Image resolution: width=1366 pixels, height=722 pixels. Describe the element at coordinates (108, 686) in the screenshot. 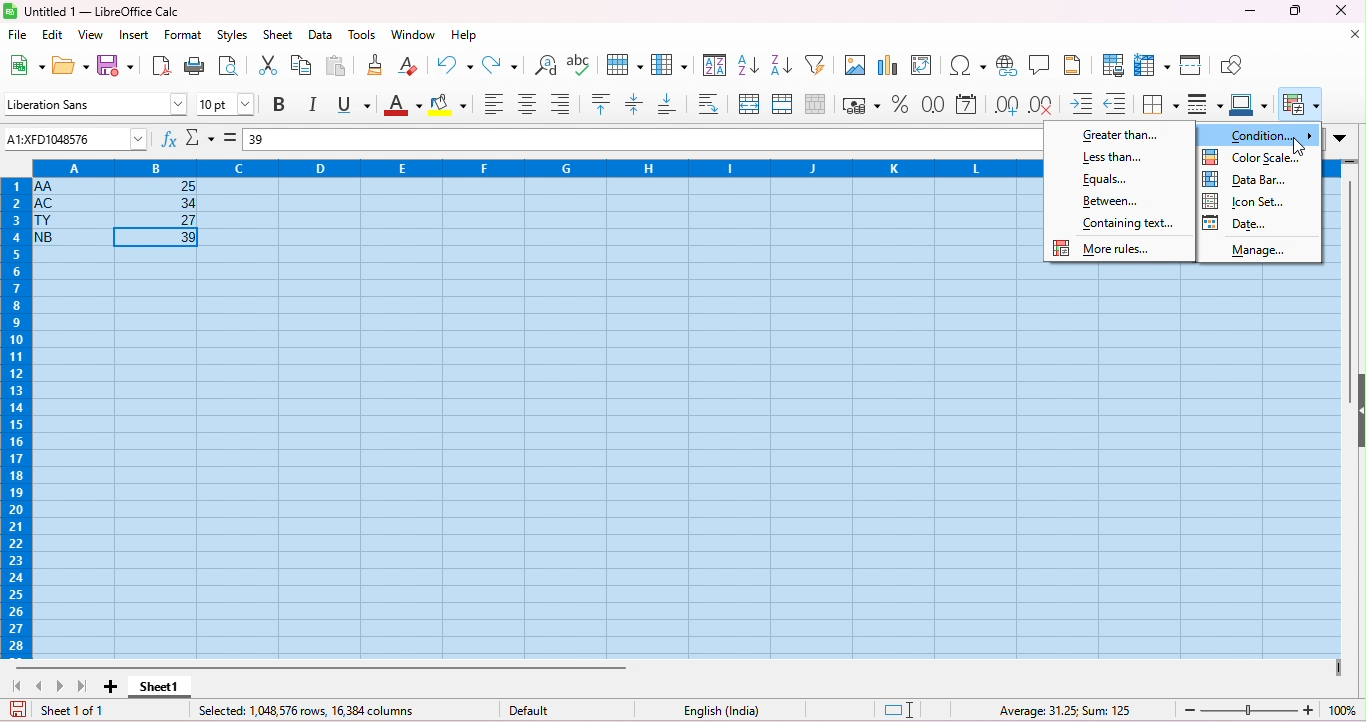

I see `add sheet1` at that location.